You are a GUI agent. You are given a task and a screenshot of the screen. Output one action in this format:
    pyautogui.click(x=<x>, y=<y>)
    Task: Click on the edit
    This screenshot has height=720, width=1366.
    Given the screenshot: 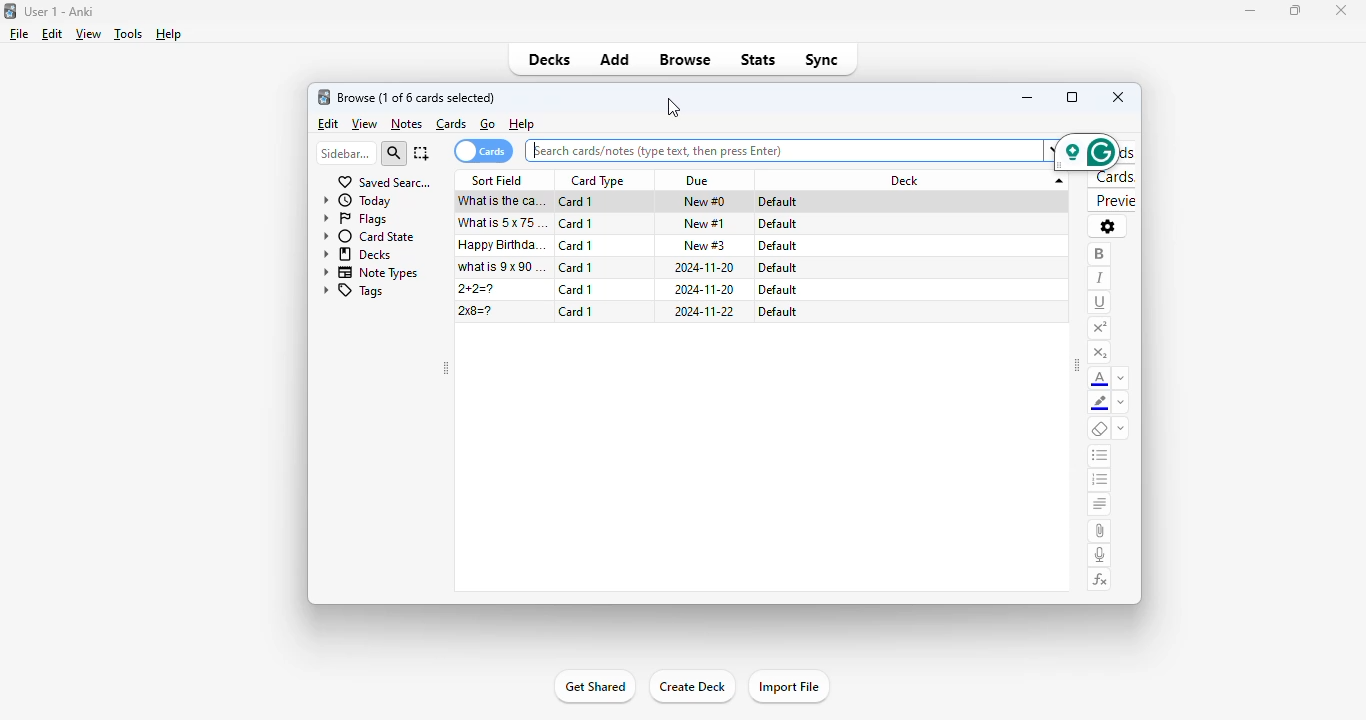 What is the action you would take?
    pyautogui.click(x=329, y=123)
    